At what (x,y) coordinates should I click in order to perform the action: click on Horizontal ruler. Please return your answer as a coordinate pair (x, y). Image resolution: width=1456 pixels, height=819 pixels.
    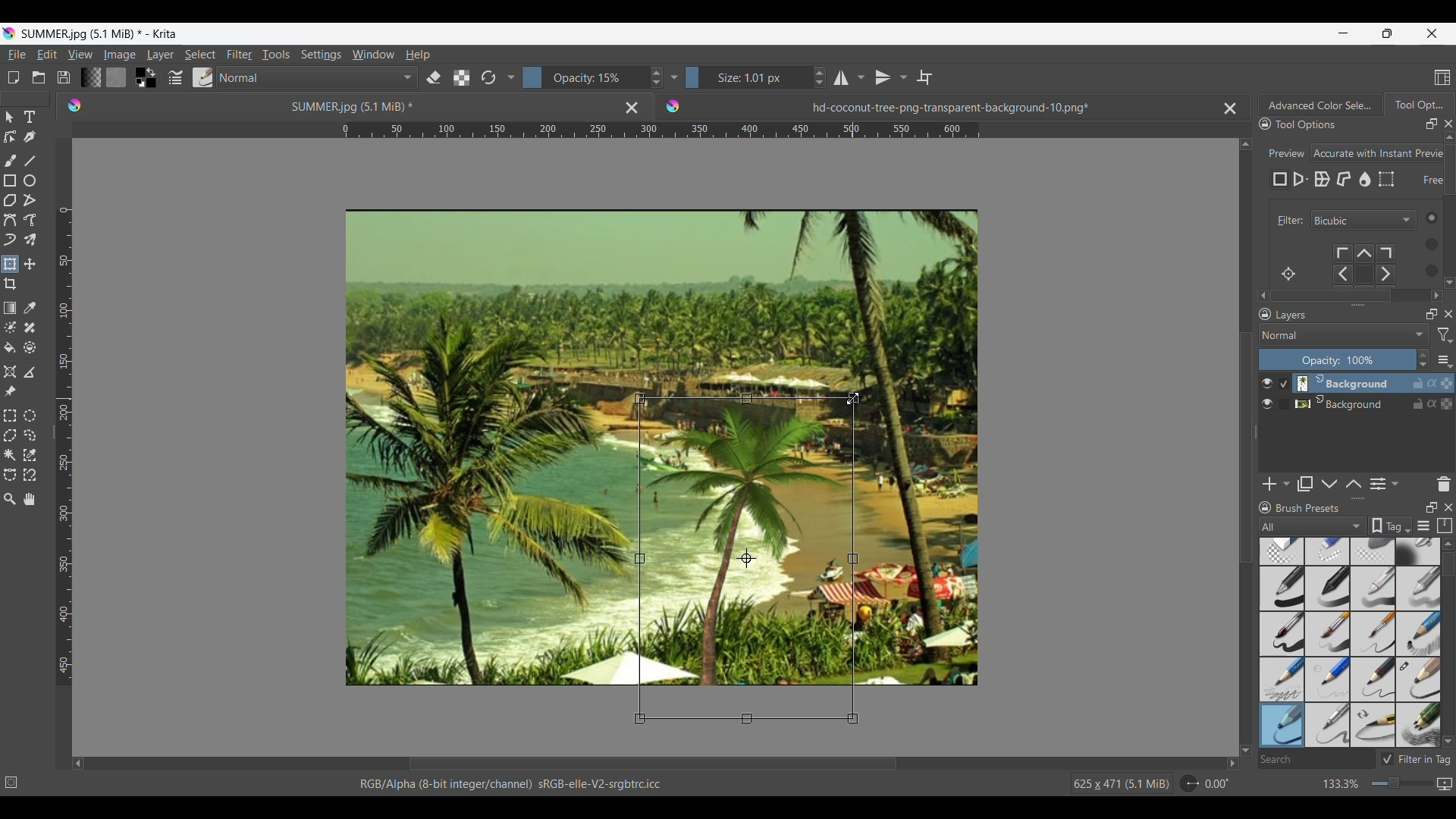
    Looking at the image, I should click on (661, 132).